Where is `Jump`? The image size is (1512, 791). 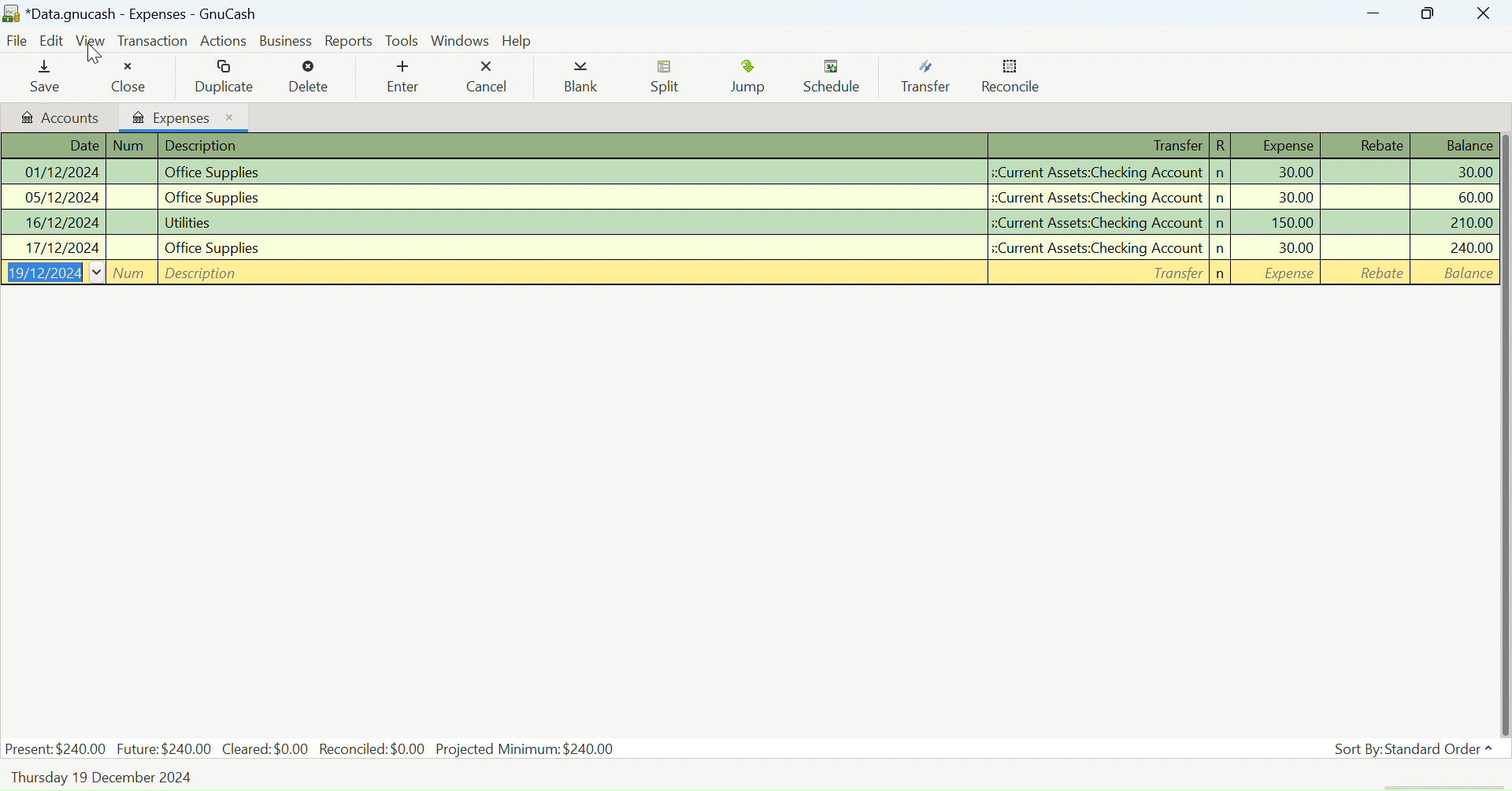 Jump is located at coordinates (751, 80).